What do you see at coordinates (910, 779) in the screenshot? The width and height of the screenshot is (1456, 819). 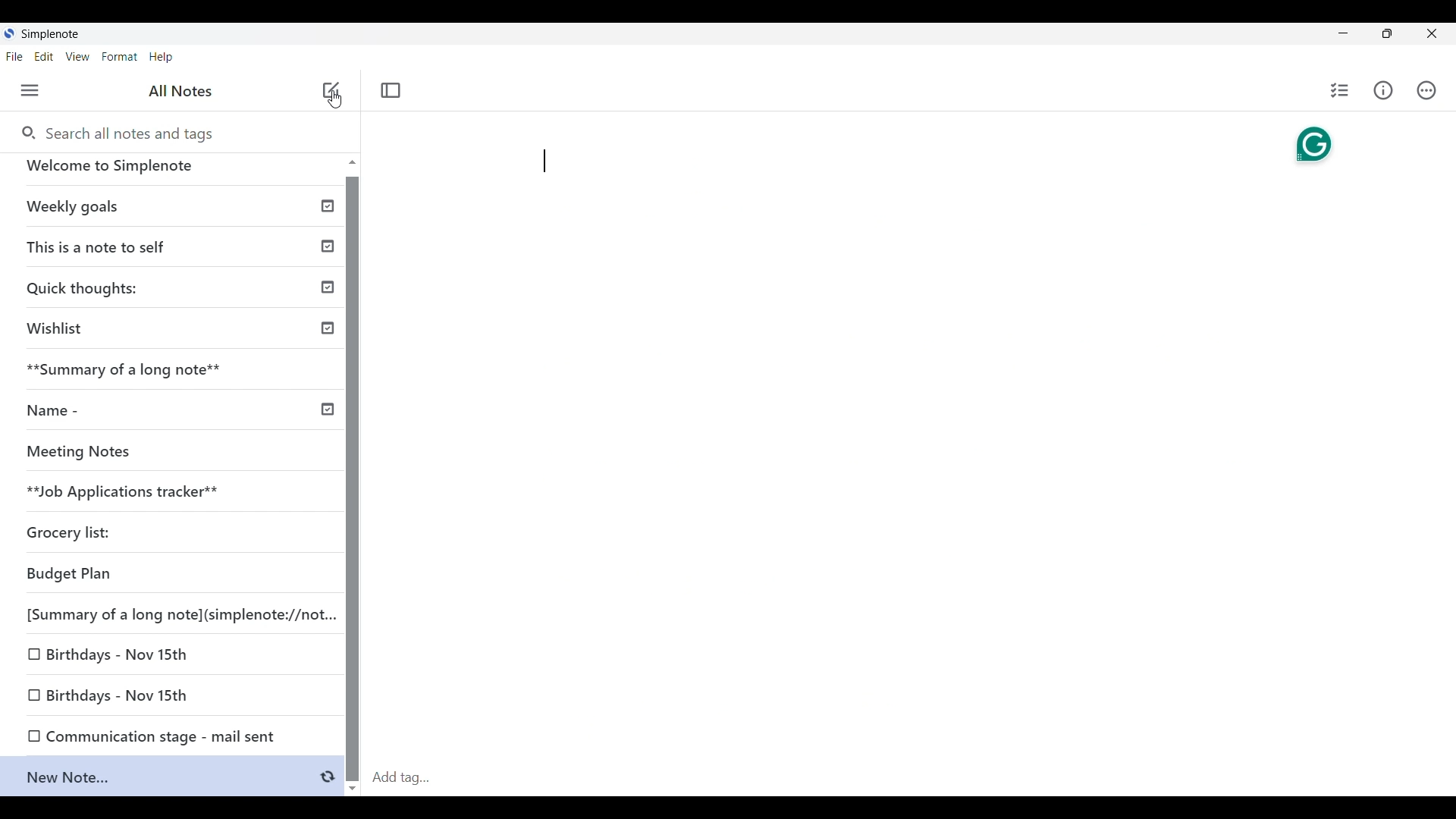 I see `Click to type in tags` at bounding box center [910, 779].